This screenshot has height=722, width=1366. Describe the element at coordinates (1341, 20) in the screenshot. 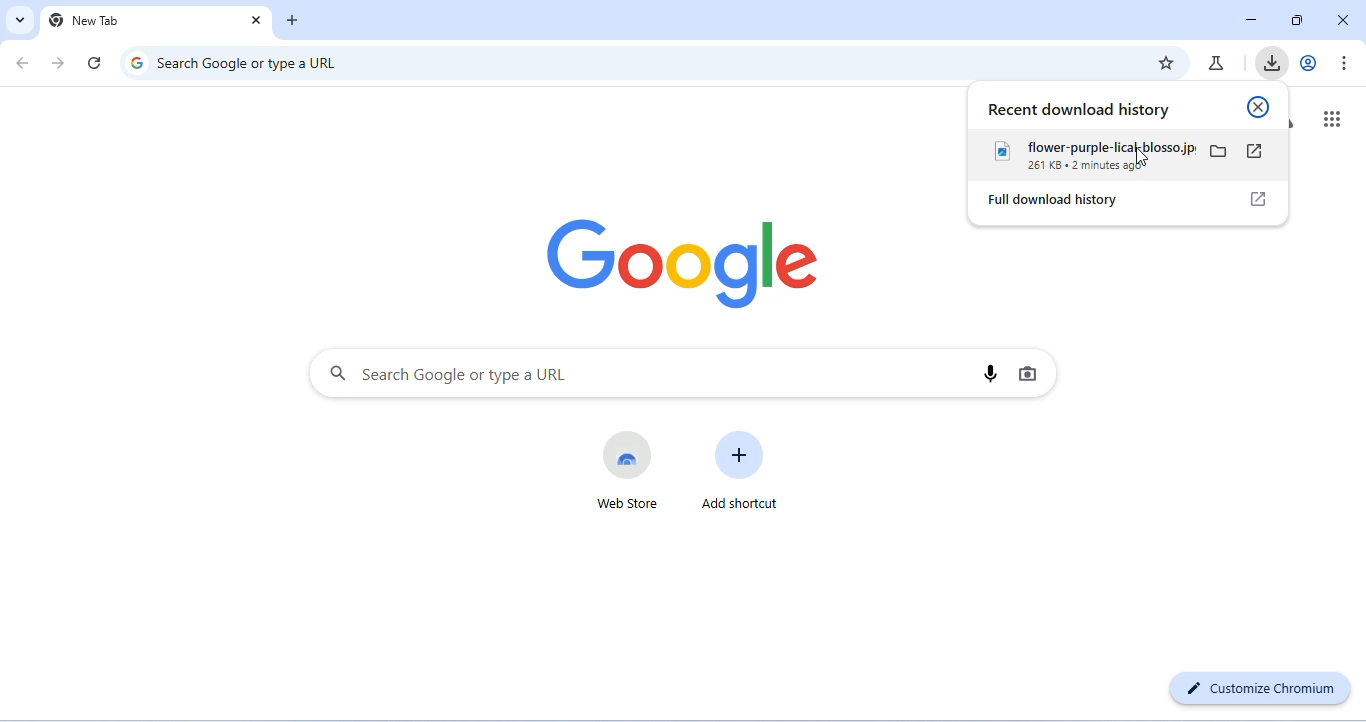

I see `close` at that location.